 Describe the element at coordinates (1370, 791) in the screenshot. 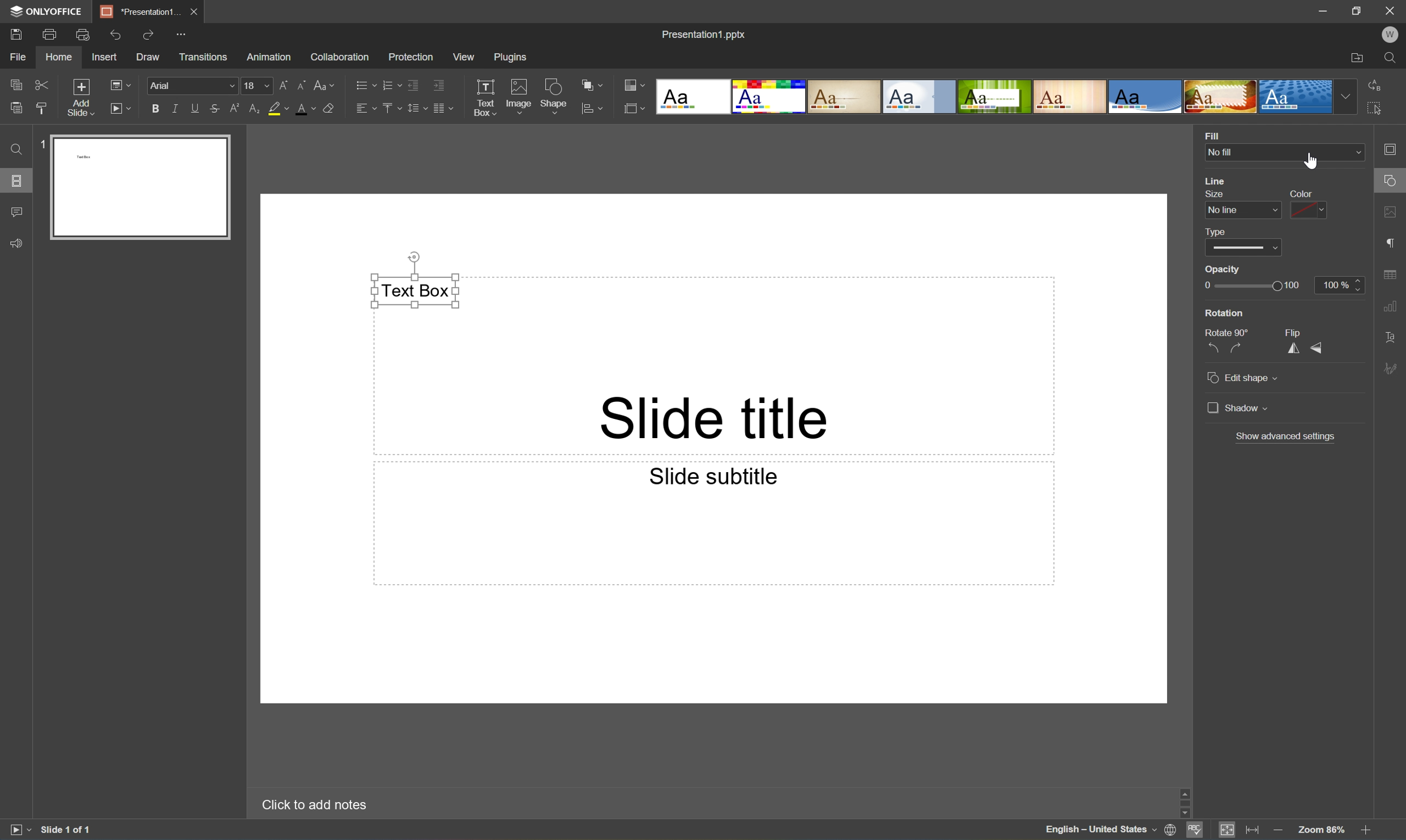

I see `Scroll Up` at that location.